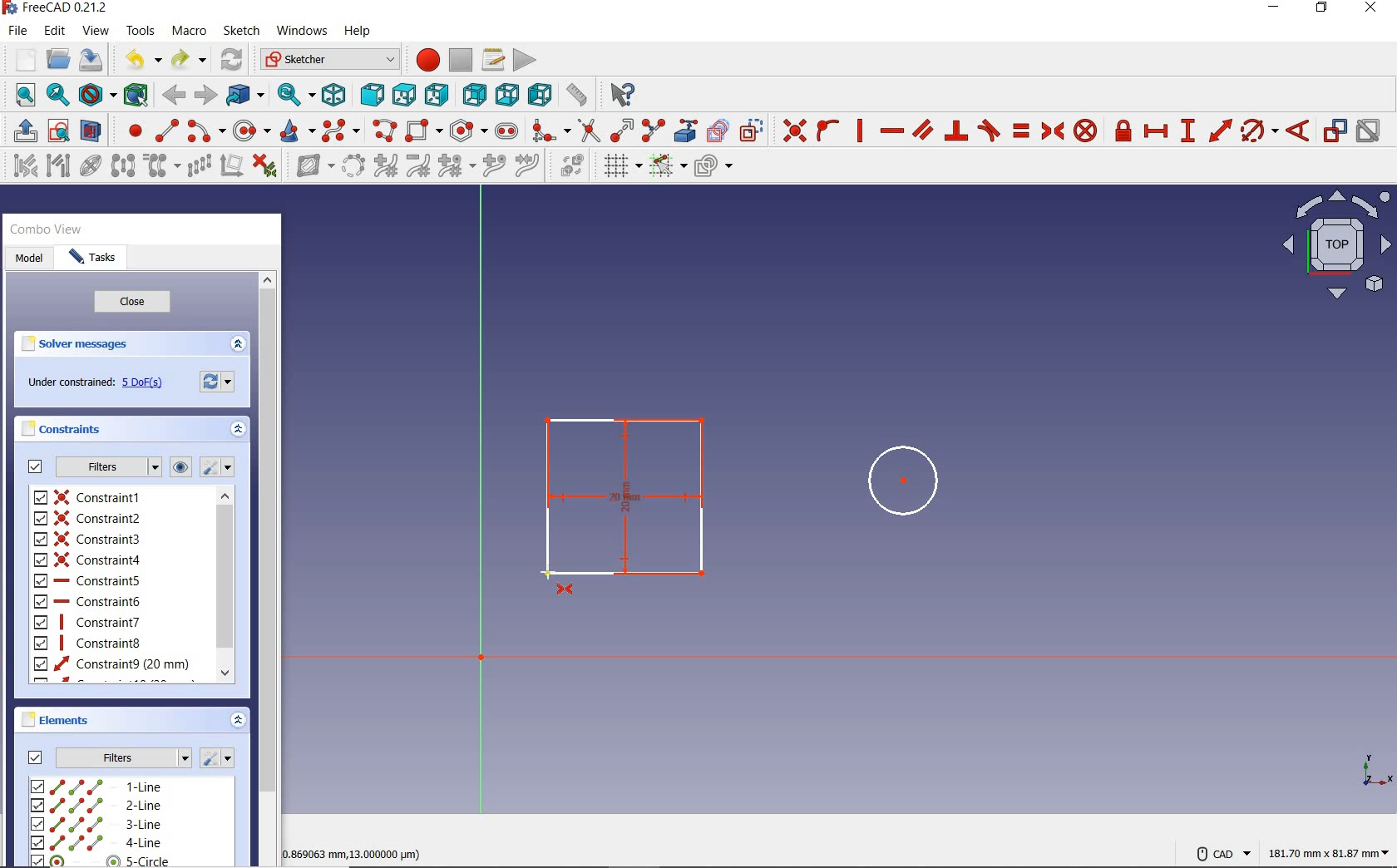 The width and height of the screenshot is (1397, 868). Describe the element at coordinates (36, 757) in the screenshot. I see `Filters checkbox` at that location.